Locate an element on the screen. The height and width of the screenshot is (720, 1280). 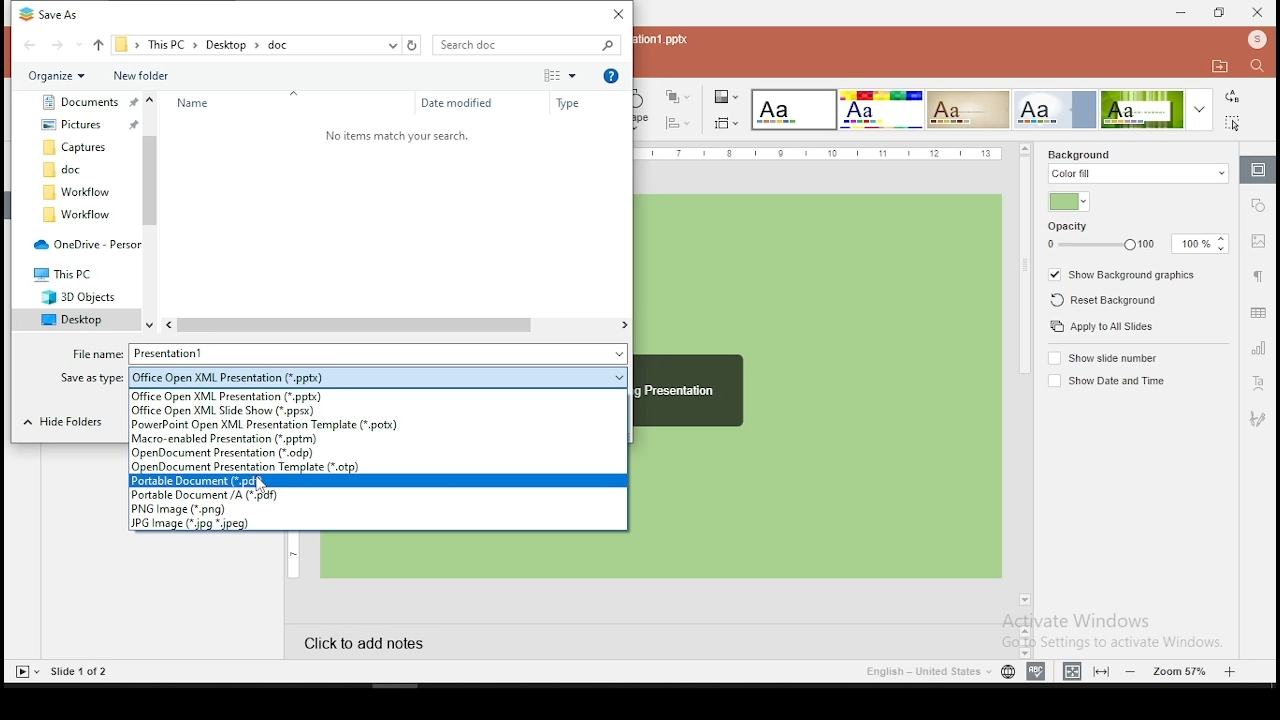
color fill is located at coordinates (1139, 174).